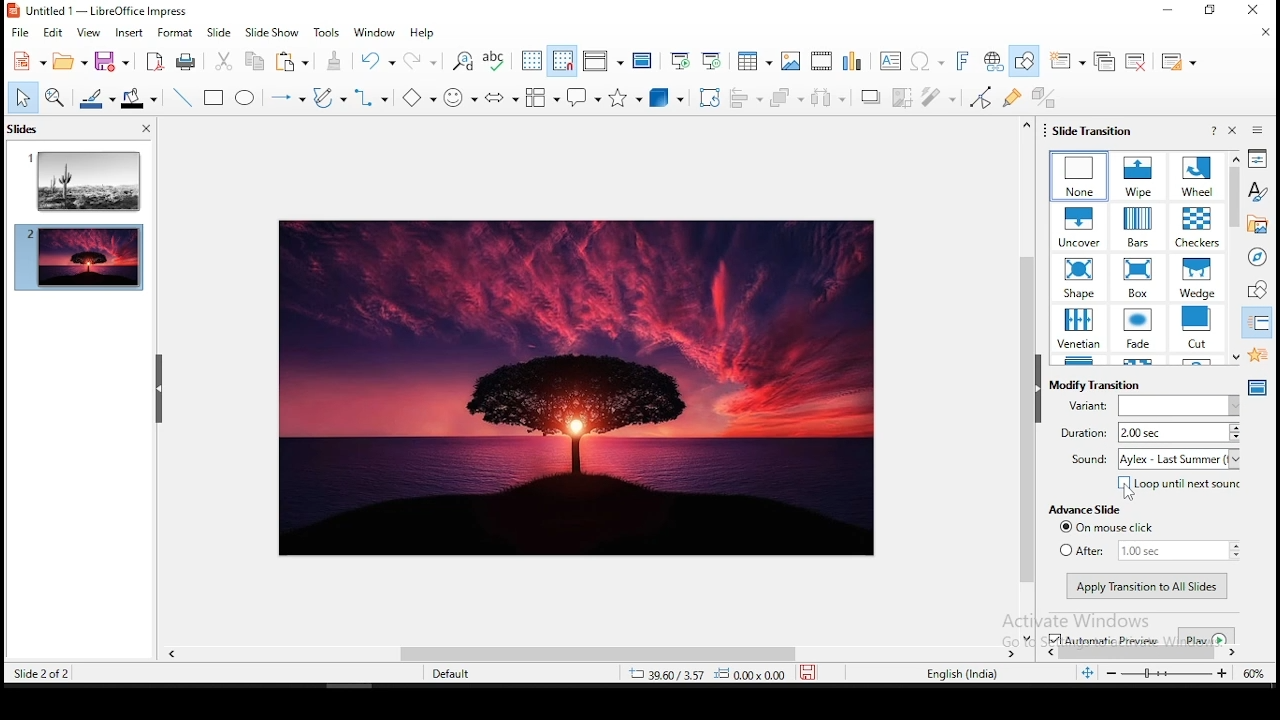  I want to click on show gluepoint functions, so click(1012, 98).